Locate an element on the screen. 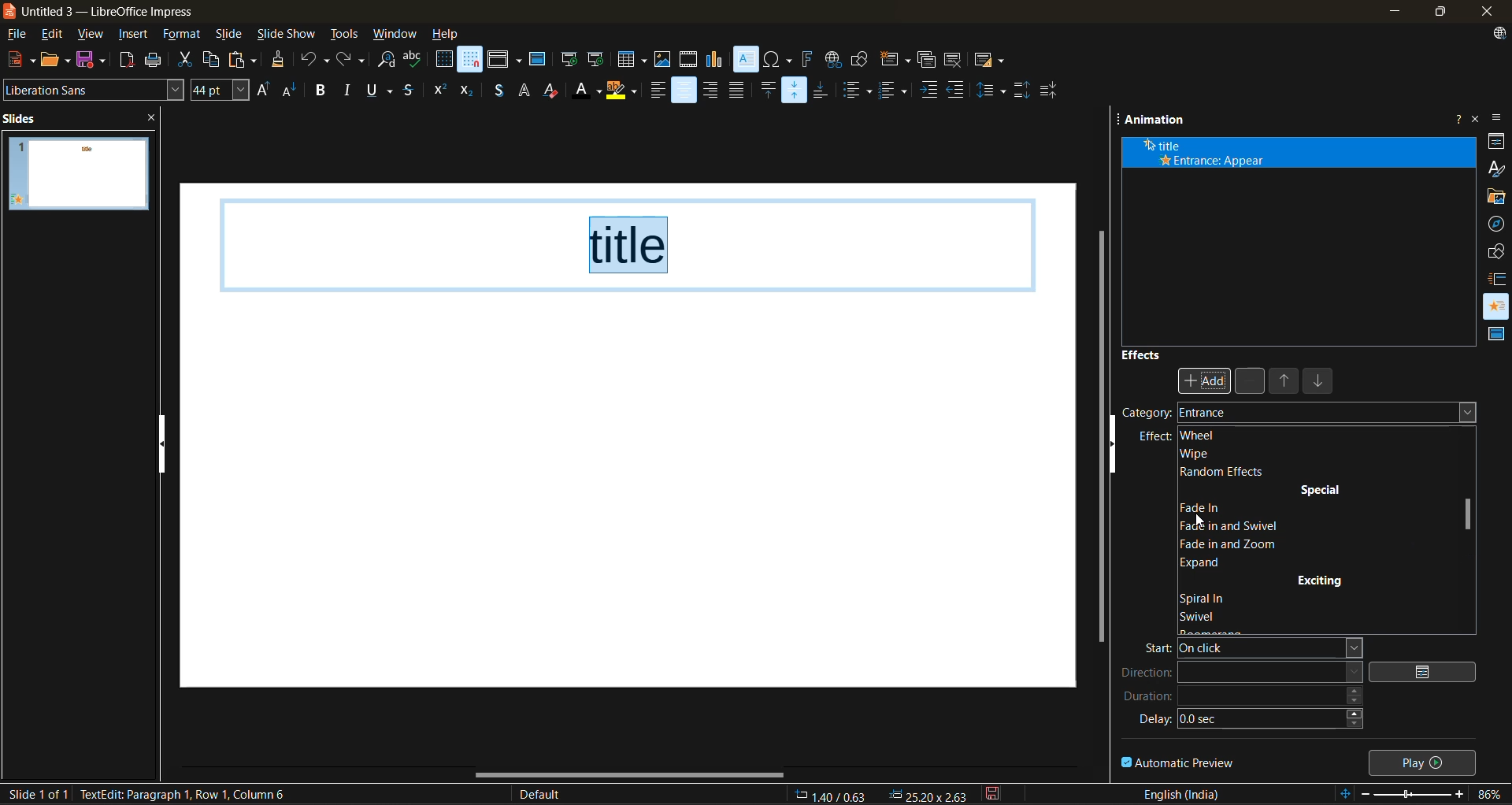  zoom factor is located at coordinates (1492, 794).